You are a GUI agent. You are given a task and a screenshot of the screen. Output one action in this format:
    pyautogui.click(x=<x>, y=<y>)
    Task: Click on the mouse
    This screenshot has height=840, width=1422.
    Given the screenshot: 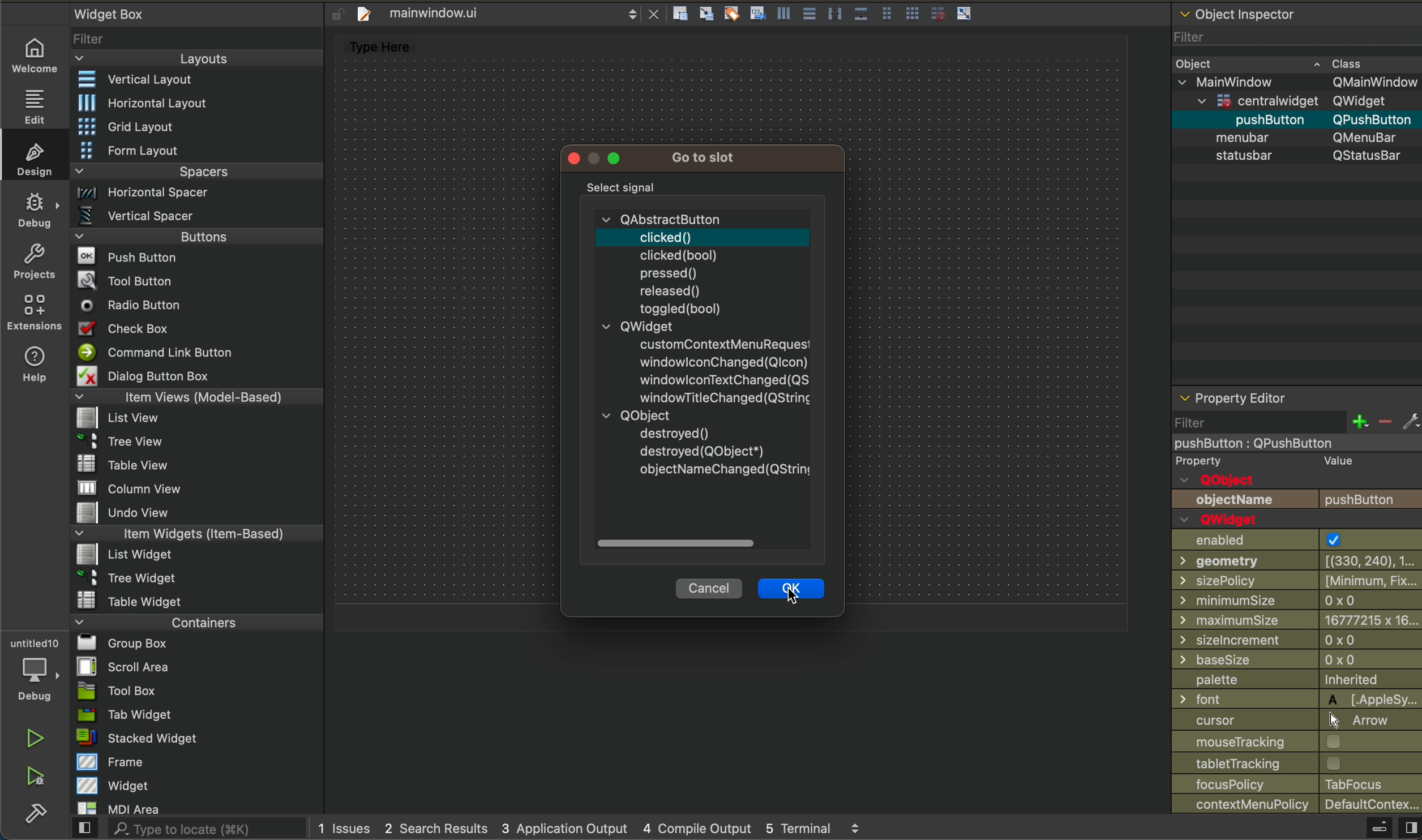 What is the action you would take?
    pyautogui.click(x=1297, y=742)
    